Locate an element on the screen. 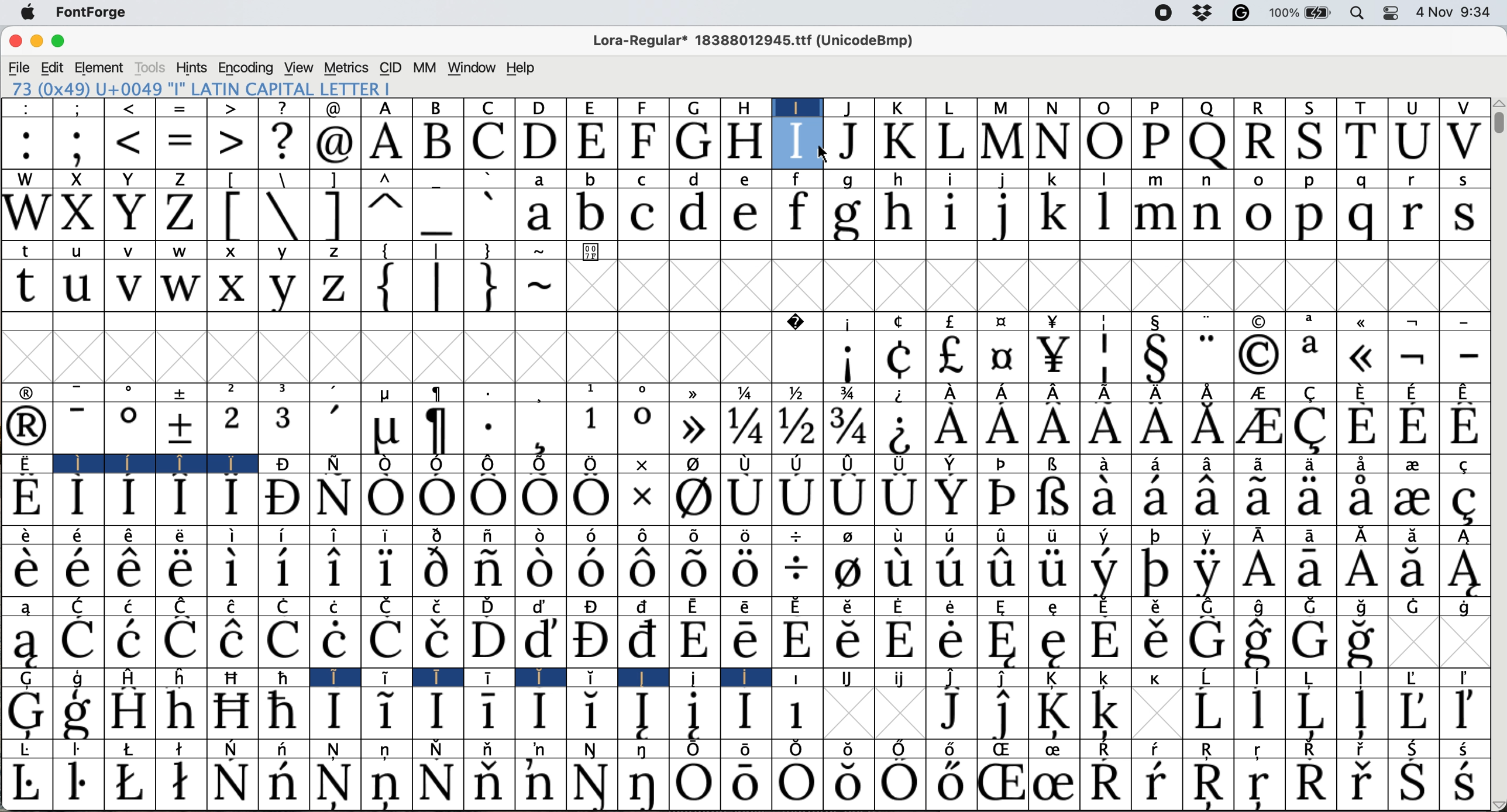 The width and height of the screenshot is (1507, 812). symbol is located at coordinates (1160, 321).